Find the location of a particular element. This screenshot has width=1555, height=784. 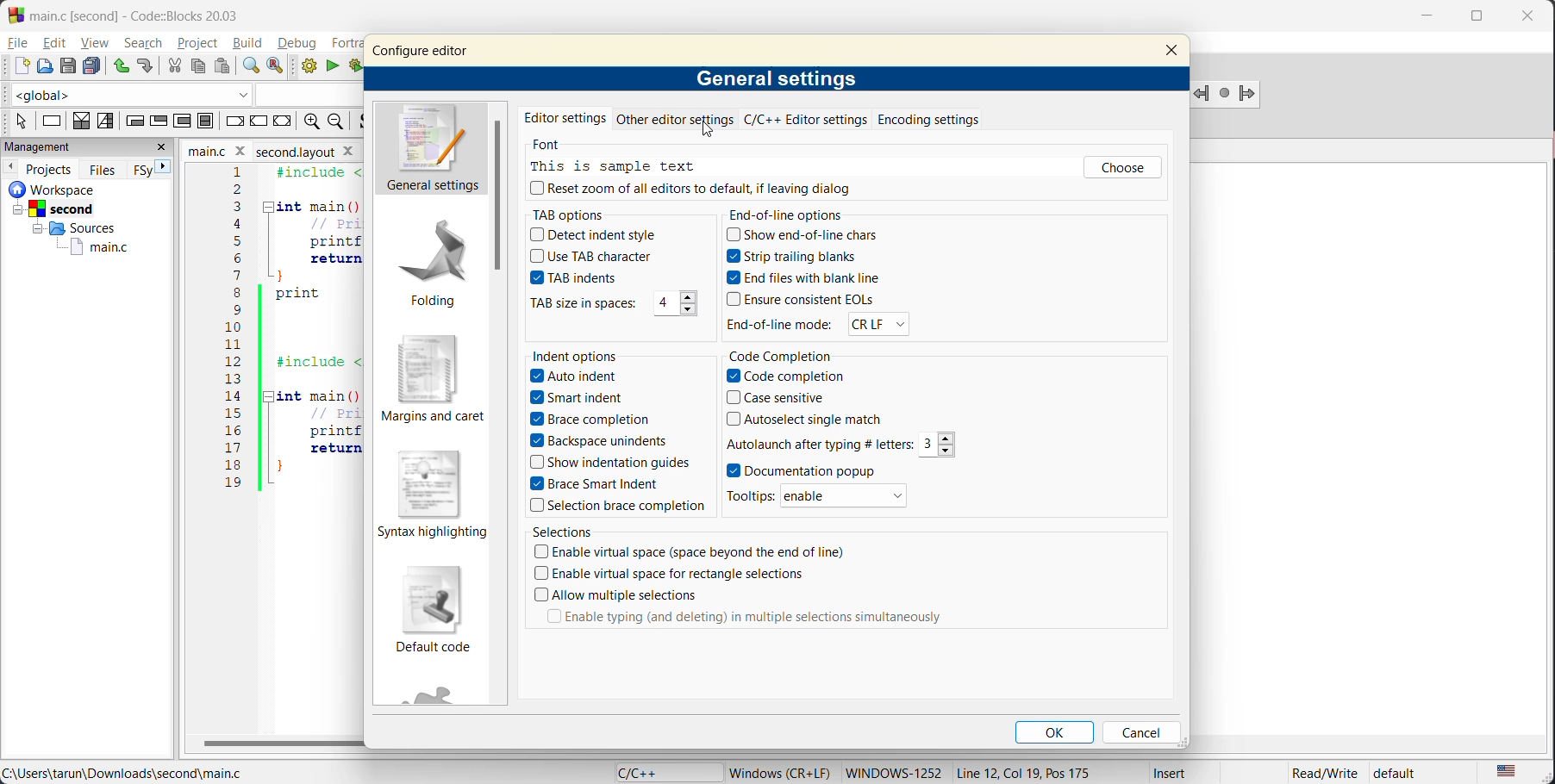

run is located at coordinates (330, 66).